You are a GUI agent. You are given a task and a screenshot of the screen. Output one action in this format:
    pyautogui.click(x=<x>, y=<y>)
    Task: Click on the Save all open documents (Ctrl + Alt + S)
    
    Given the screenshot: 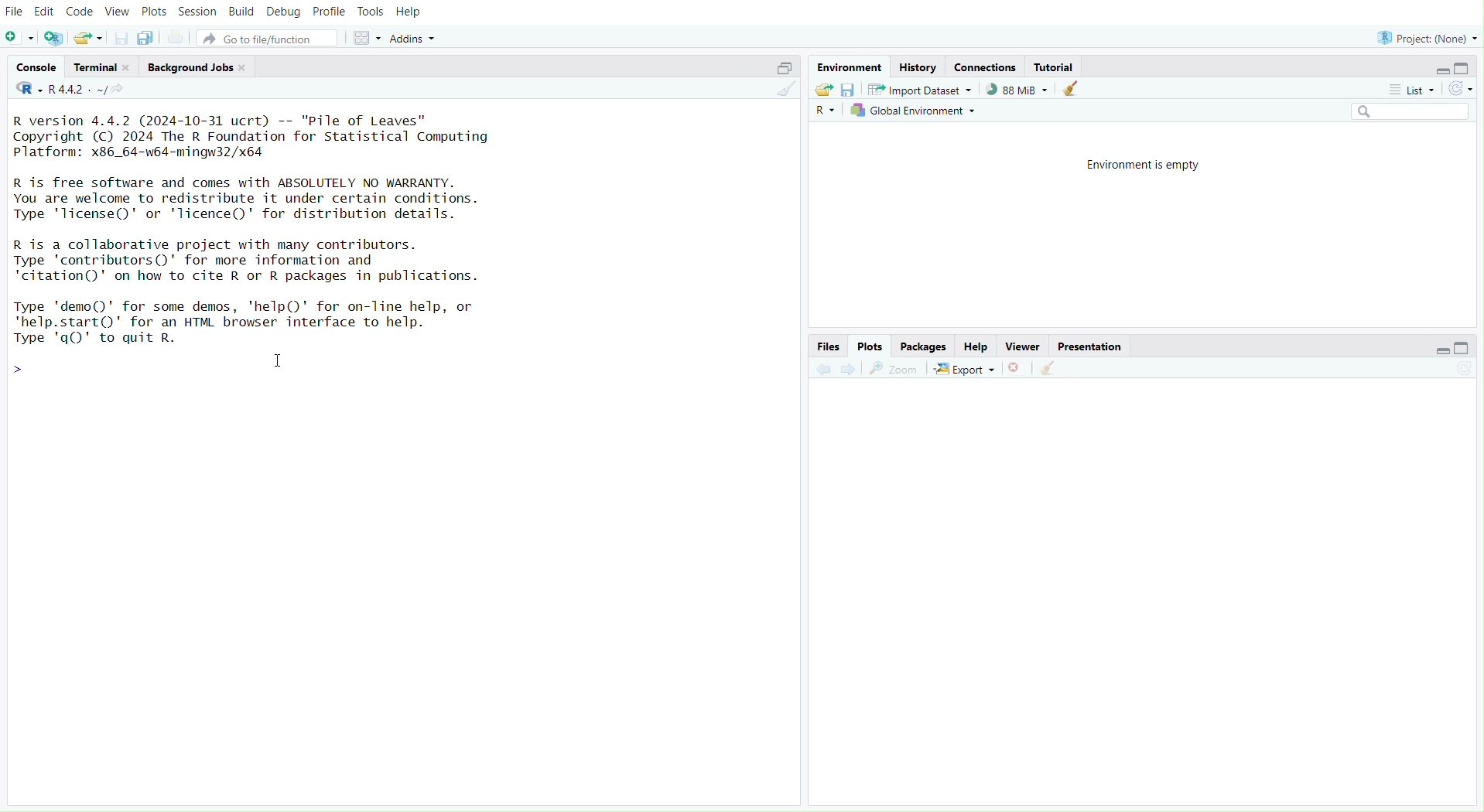 What is the action you would take?
    pyautogui.click(x=145, y=37)
    